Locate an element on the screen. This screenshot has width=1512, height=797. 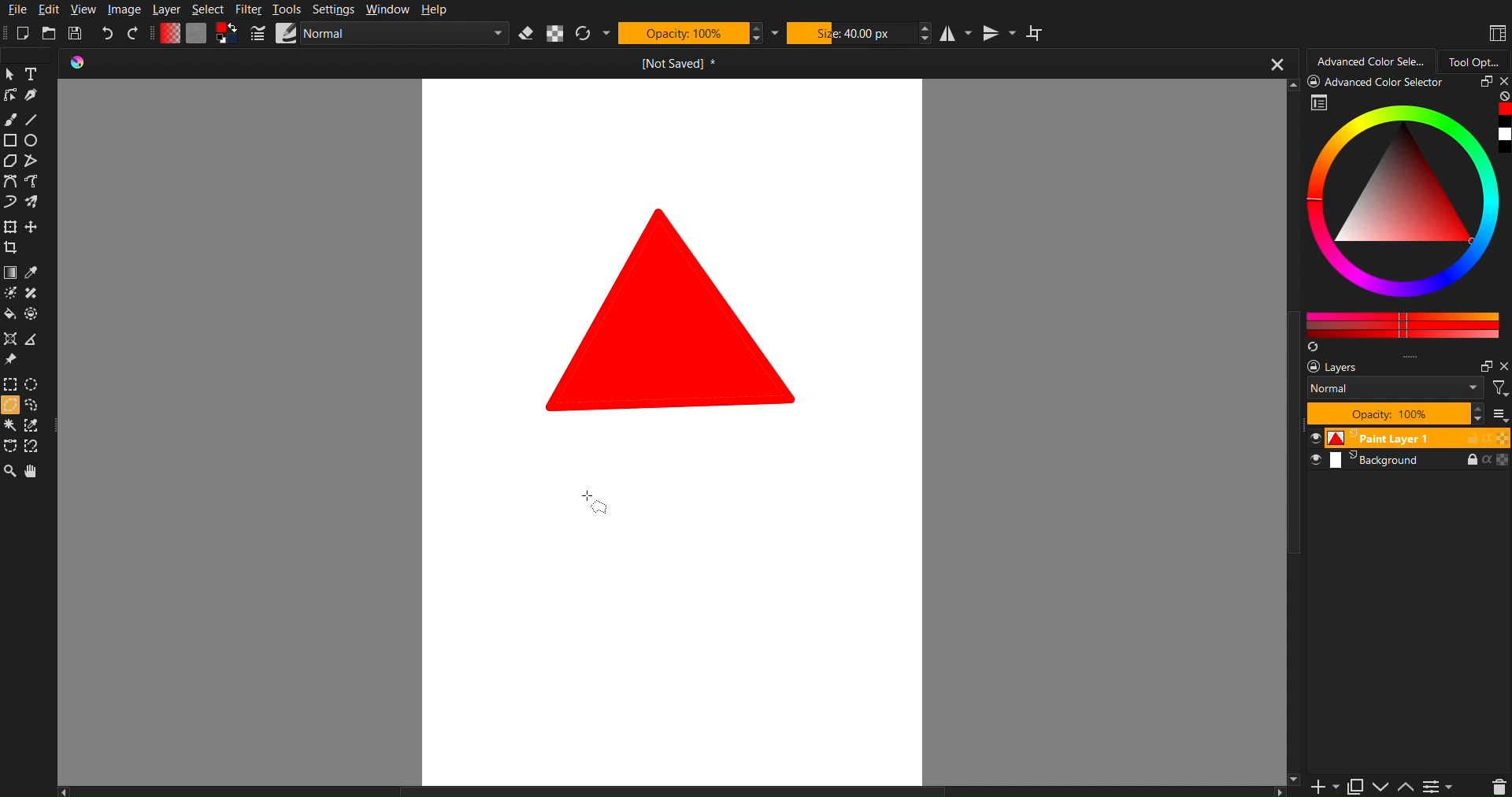
Save is located at coordinates (75, 31).